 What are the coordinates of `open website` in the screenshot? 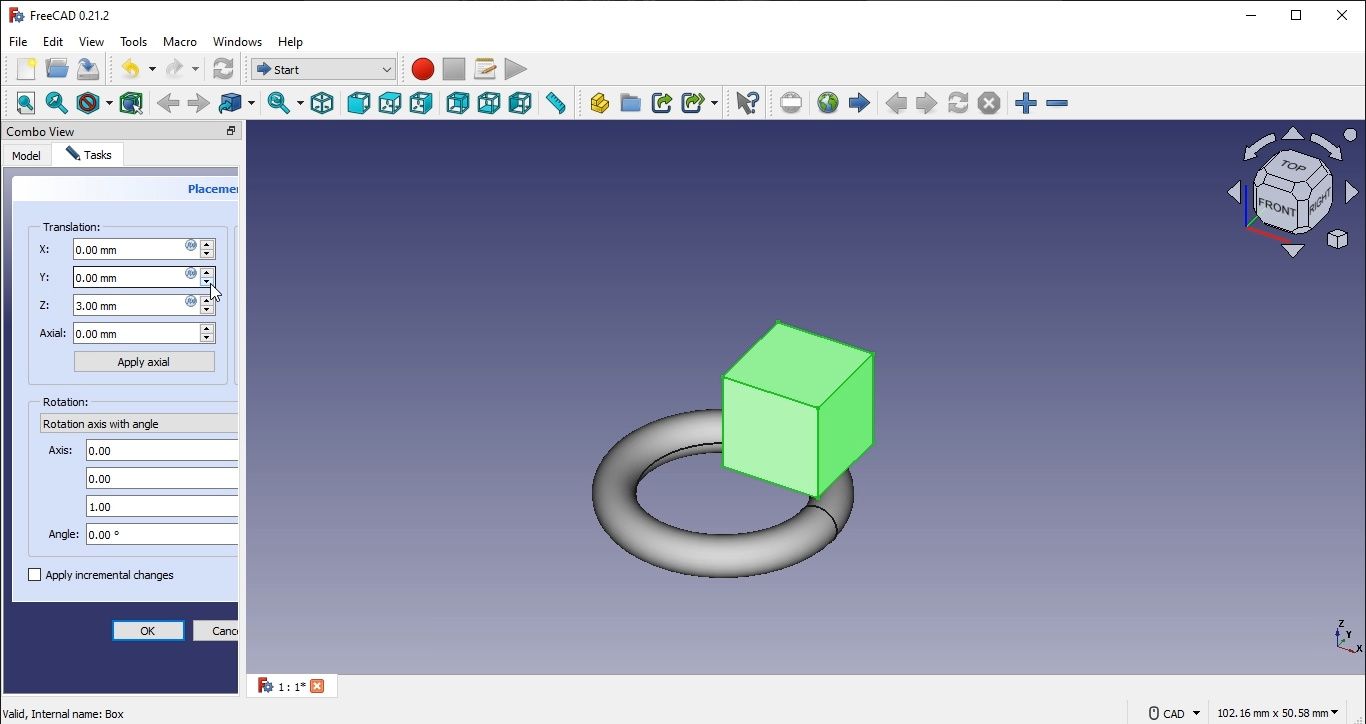 It's located at (827, 101).